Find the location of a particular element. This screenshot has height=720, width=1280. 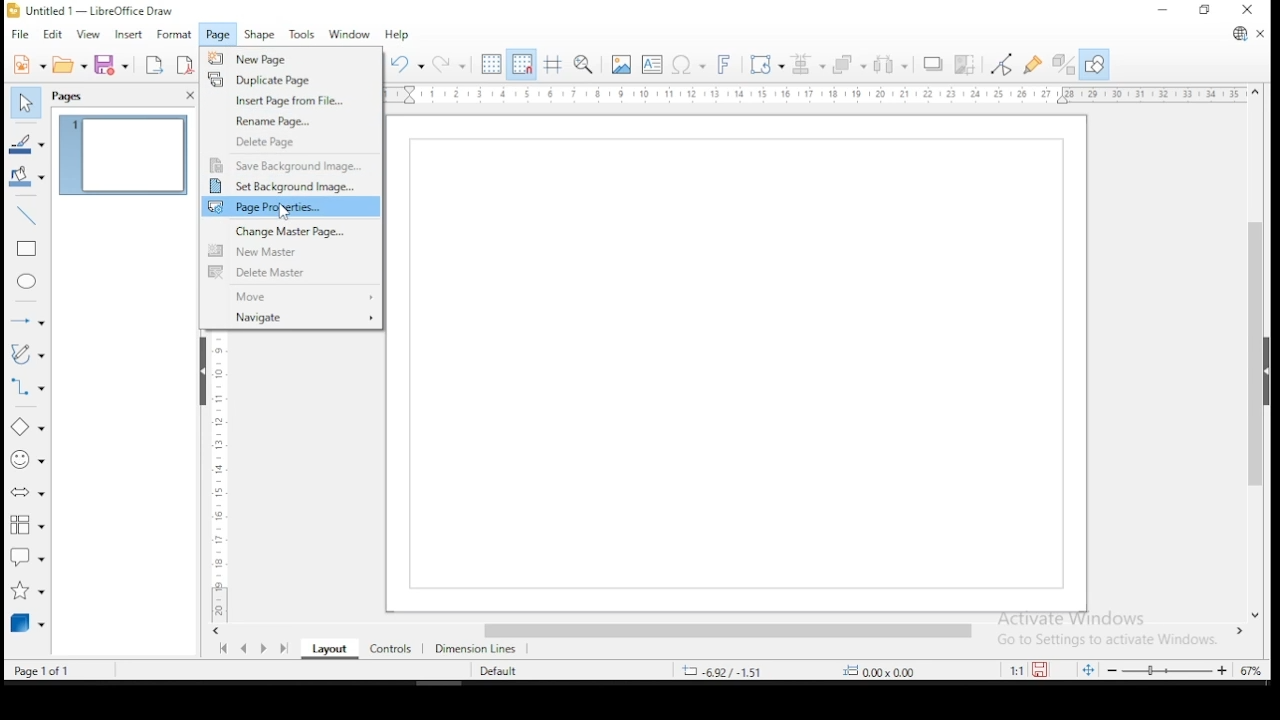

insert fontwork text is located at coordinates (727, 66).